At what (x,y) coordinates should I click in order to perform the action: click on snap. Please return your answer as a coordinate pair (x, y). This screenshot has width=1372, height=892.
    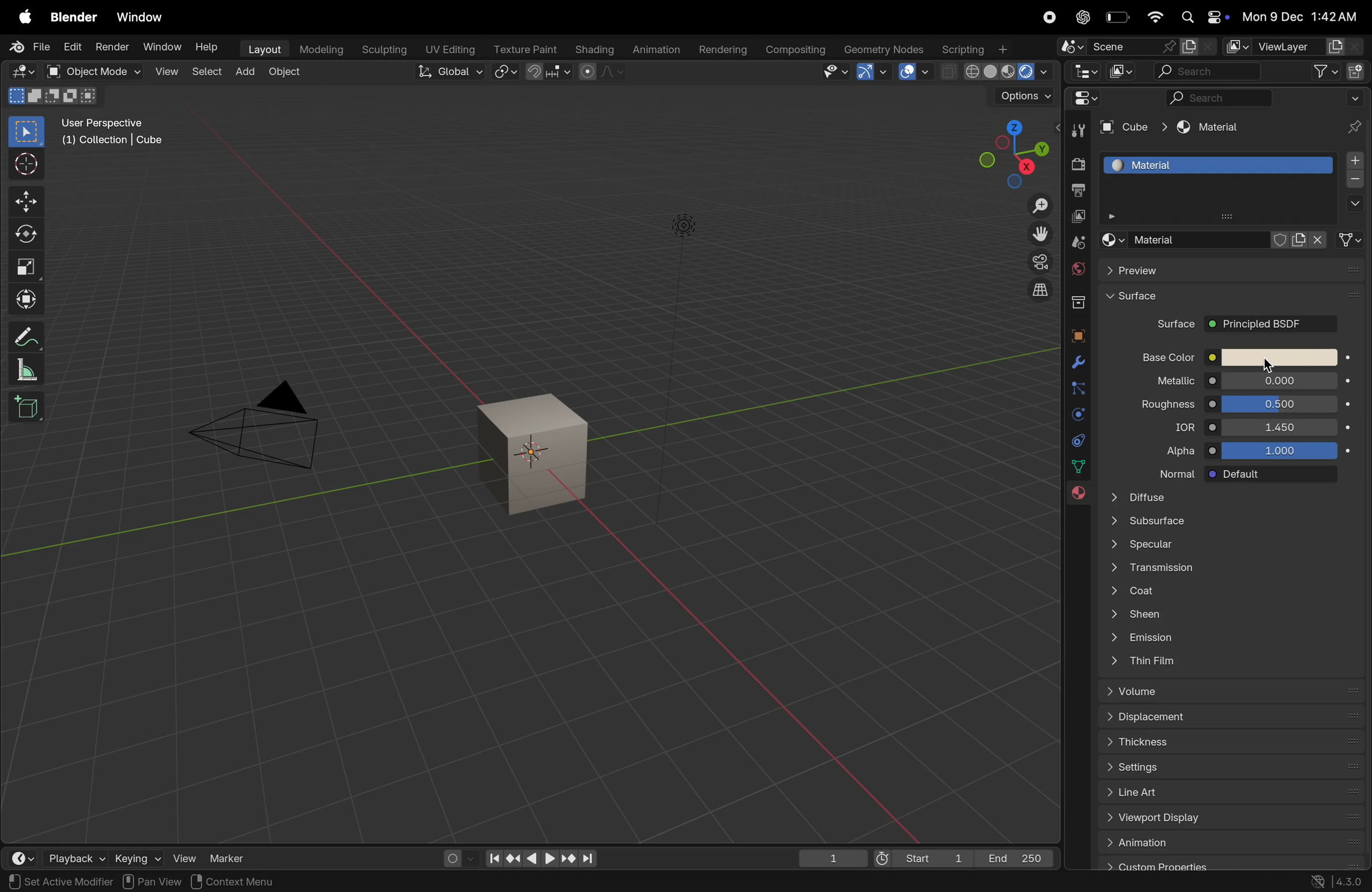
    Looking at the image, I should click on (548, 73).